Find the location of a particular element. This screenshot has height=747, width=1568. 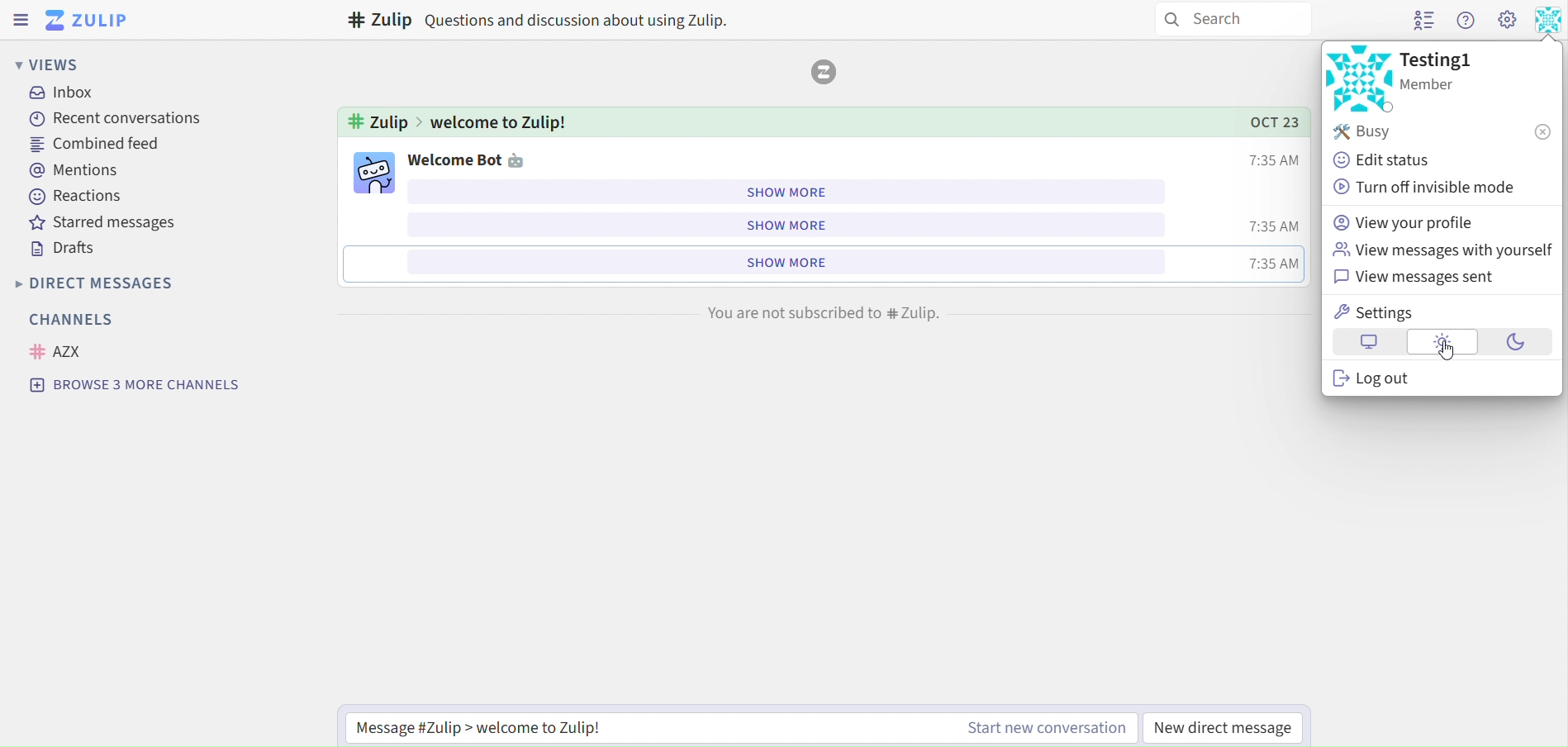

Message #Zulip > welcome to Zulip! is located at coordinates (479, 724).